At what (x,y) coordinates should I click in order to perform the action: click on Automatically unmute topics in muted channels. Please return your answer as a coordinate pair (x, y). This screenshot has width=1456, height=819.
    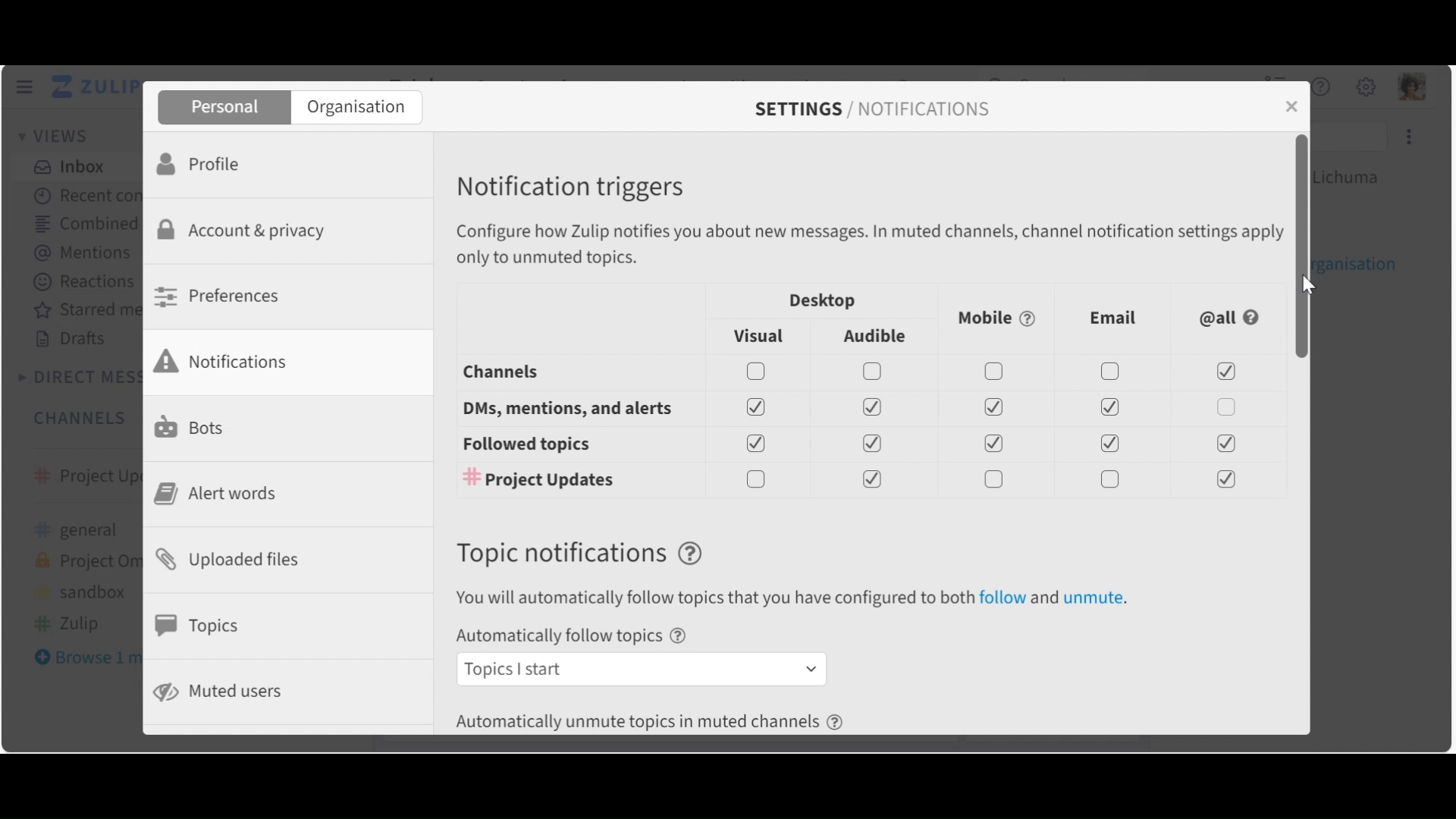
    Looking at the image, I should click on (657, 723).